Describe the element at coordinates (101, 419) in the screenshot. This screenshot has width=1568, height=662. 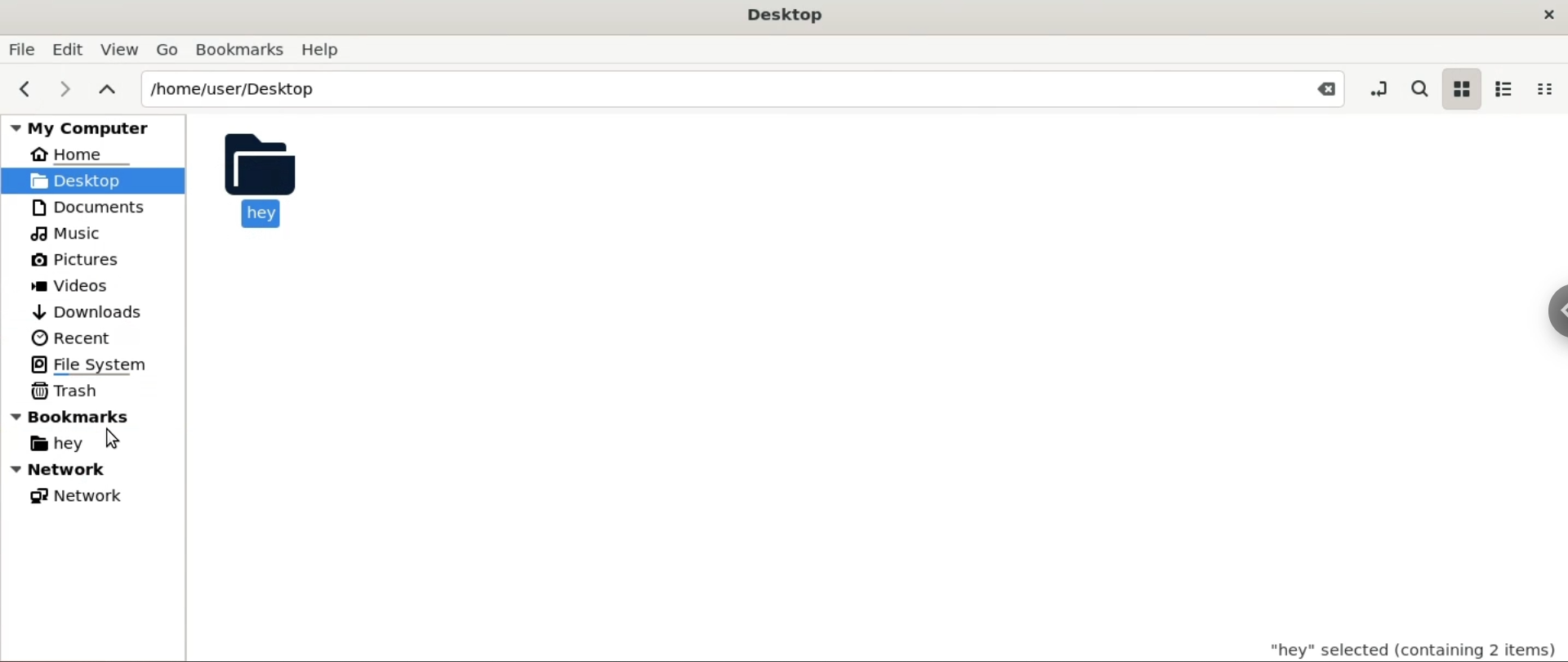
I see `bookmarks` at that location.